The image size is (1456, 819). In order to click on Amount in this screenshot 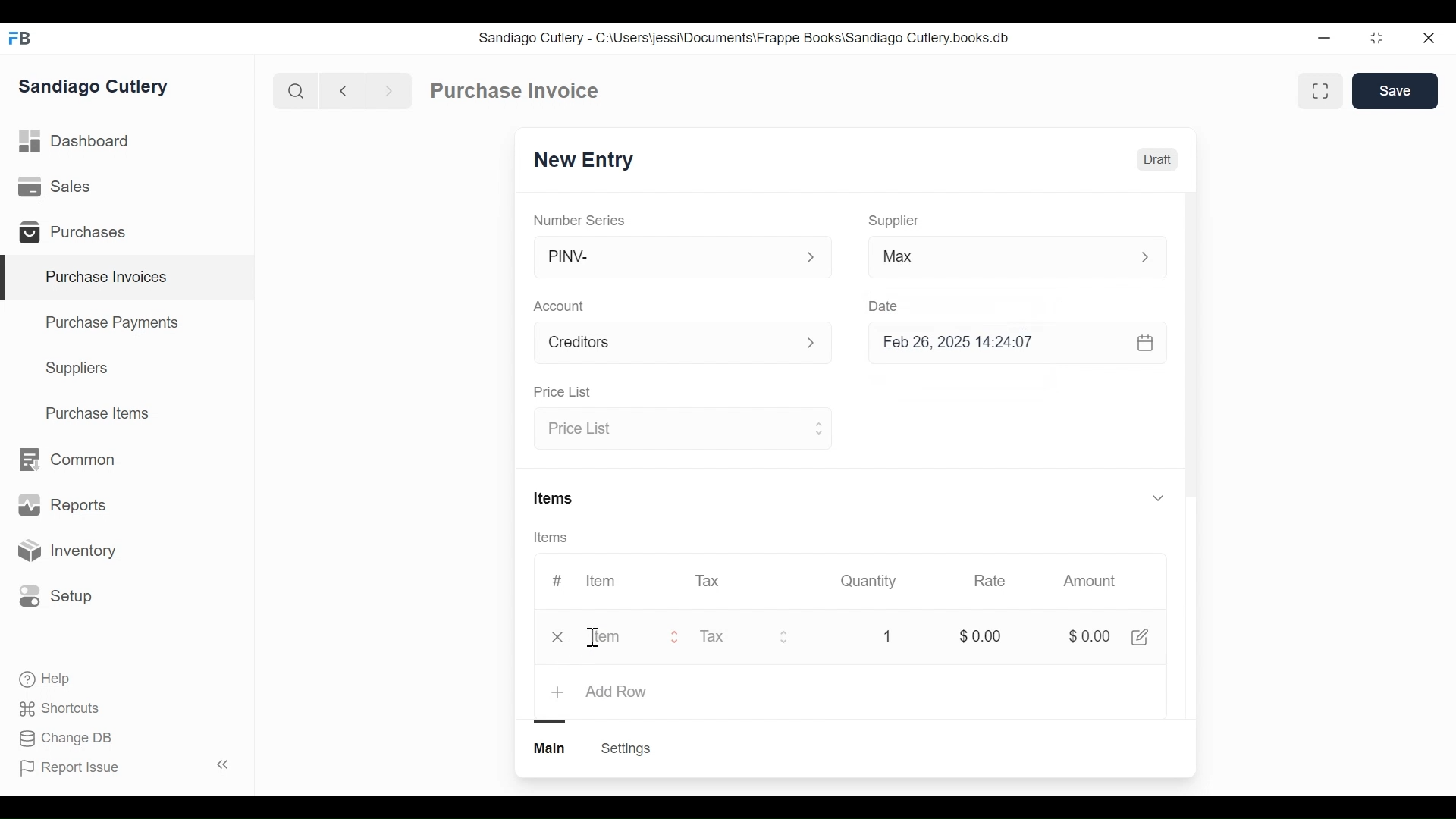, I will do `click(1093, 582)`.